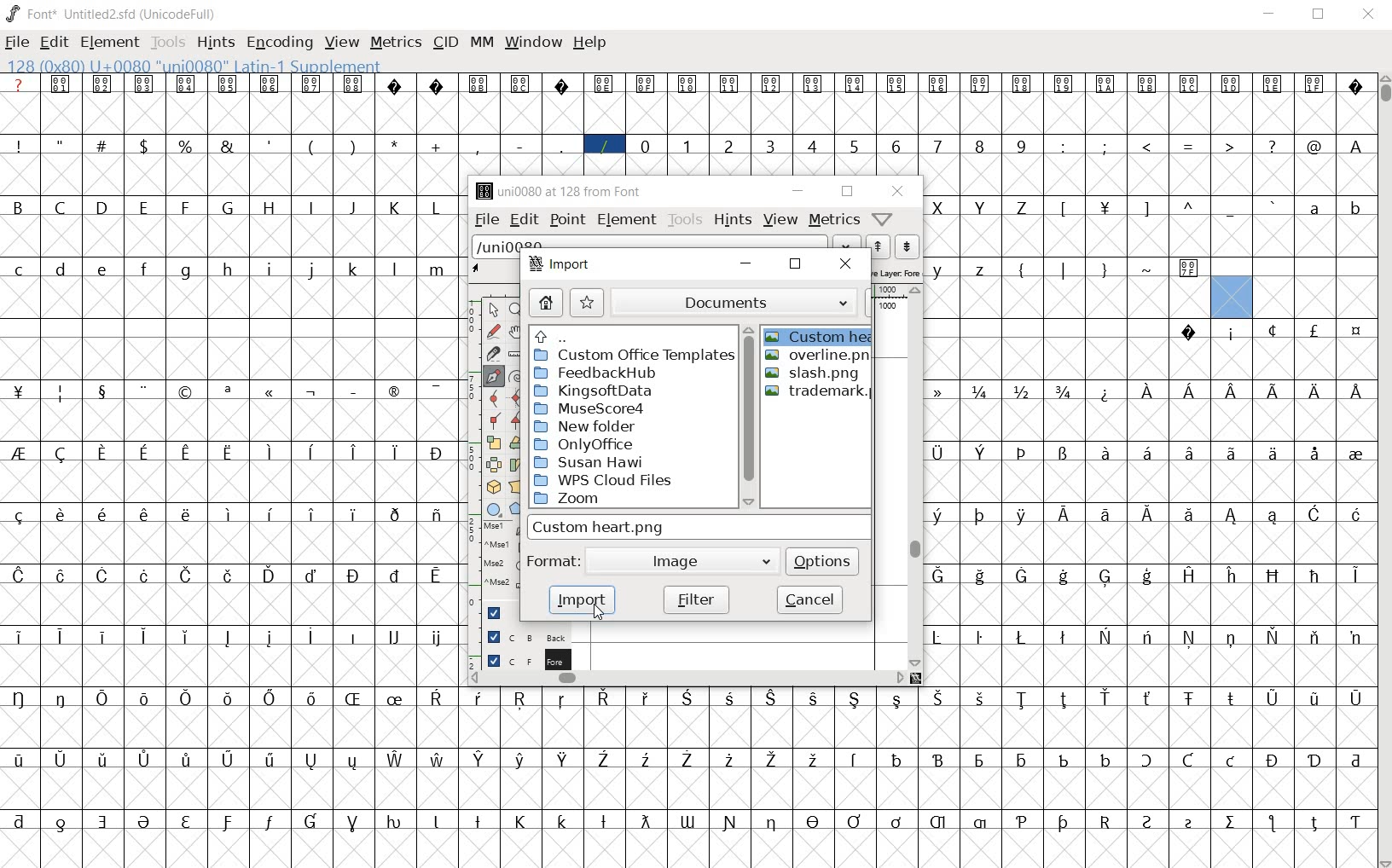 This screenshot has height=868, width=1392. I want to click on glyph, so click(1273, 576).